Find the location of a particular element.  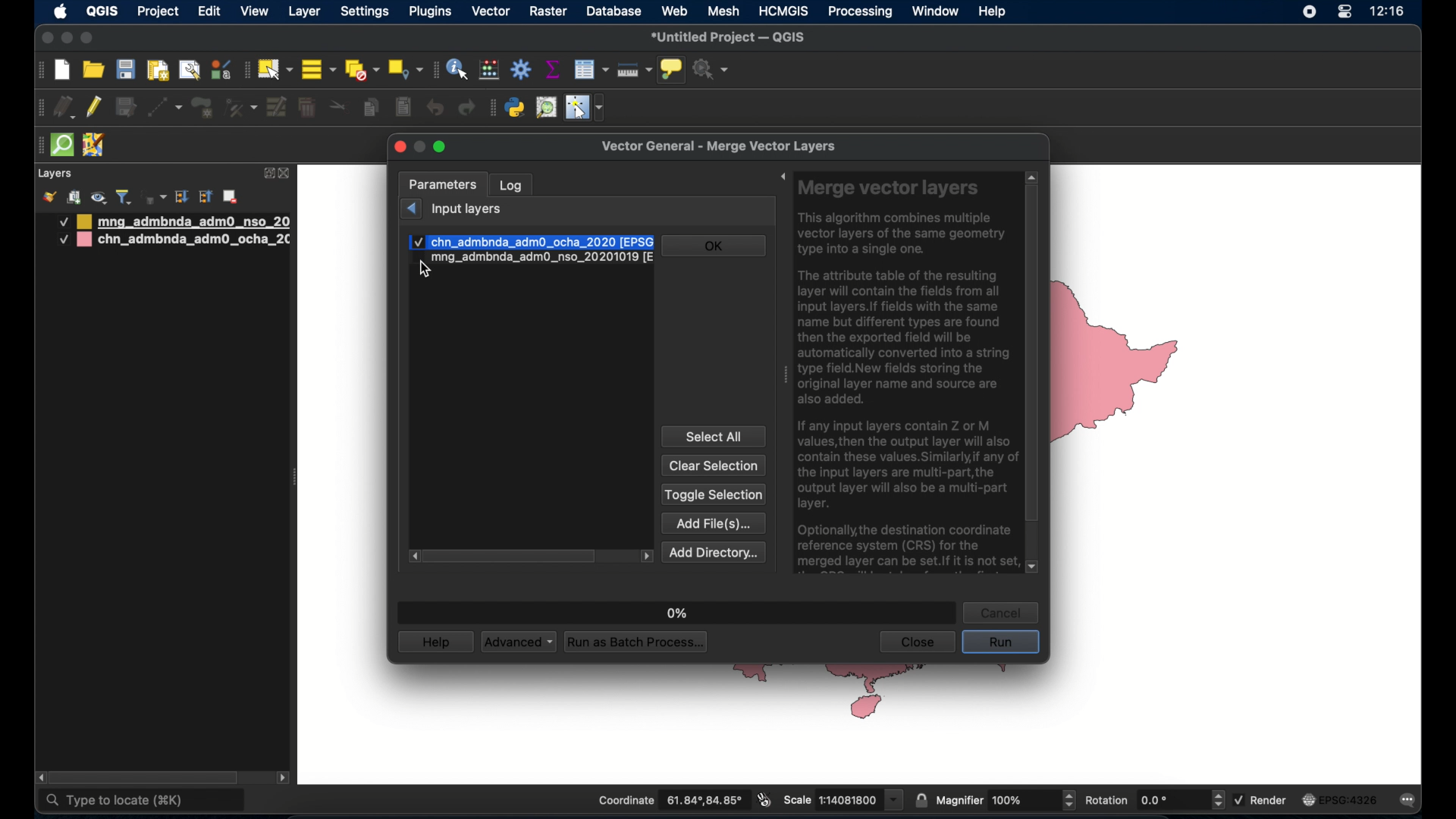

drag handle is located at coordinates (783, 378).